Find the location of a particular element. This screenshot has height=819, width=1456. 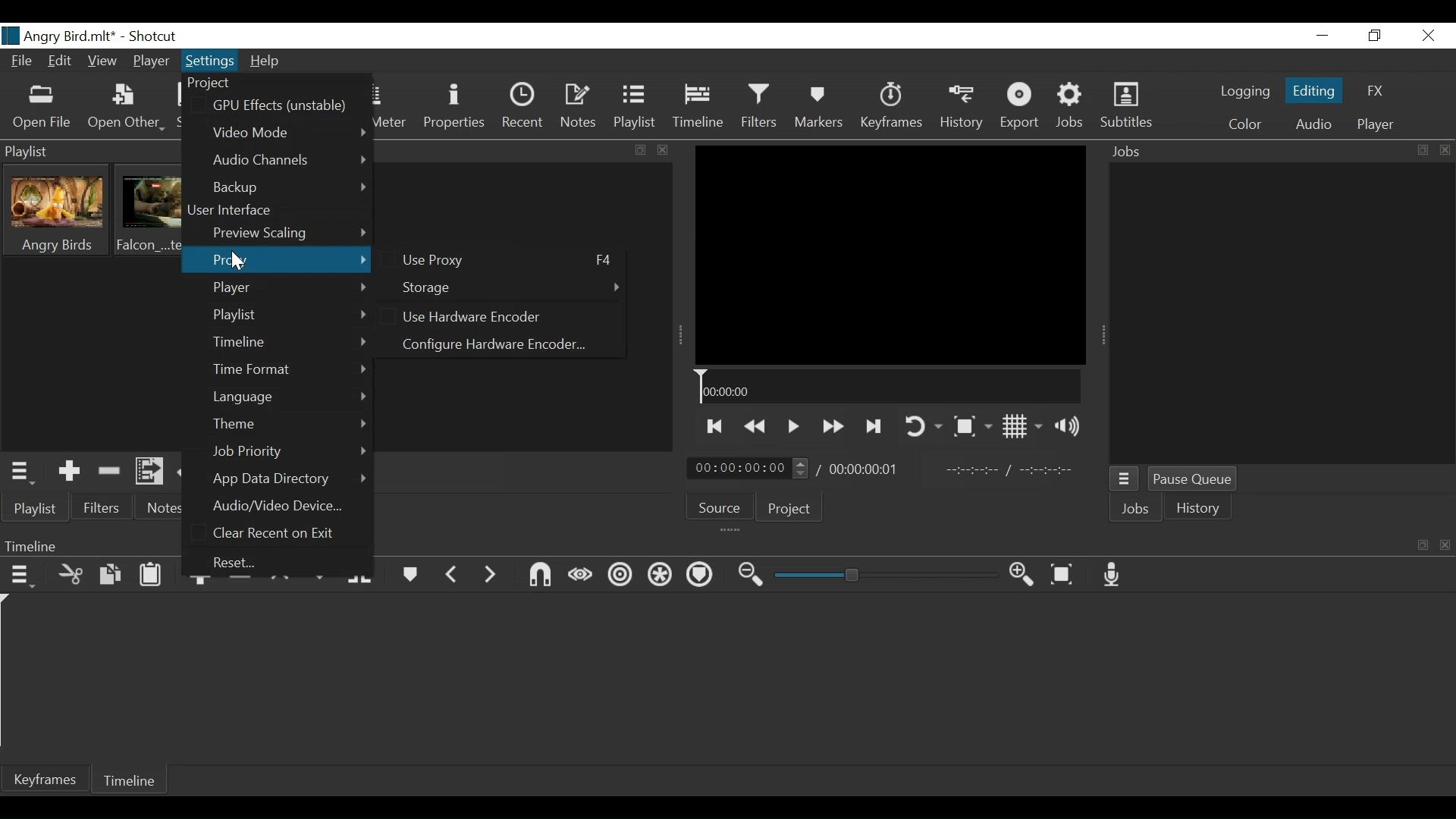

FX is located at coordinates (1373, 89).